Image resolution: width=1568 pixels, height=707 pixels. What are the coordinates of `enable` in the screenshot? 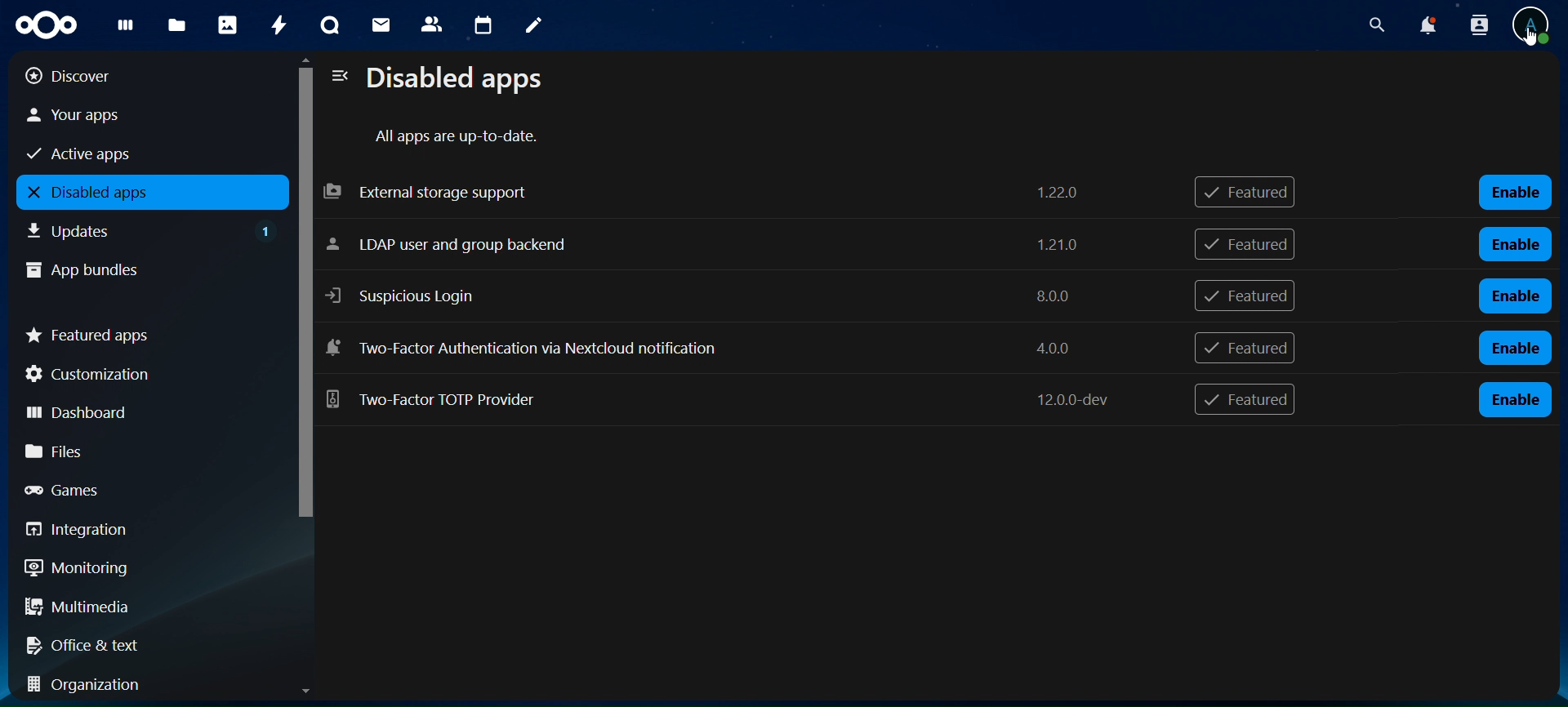 It's located at (1517, 242).